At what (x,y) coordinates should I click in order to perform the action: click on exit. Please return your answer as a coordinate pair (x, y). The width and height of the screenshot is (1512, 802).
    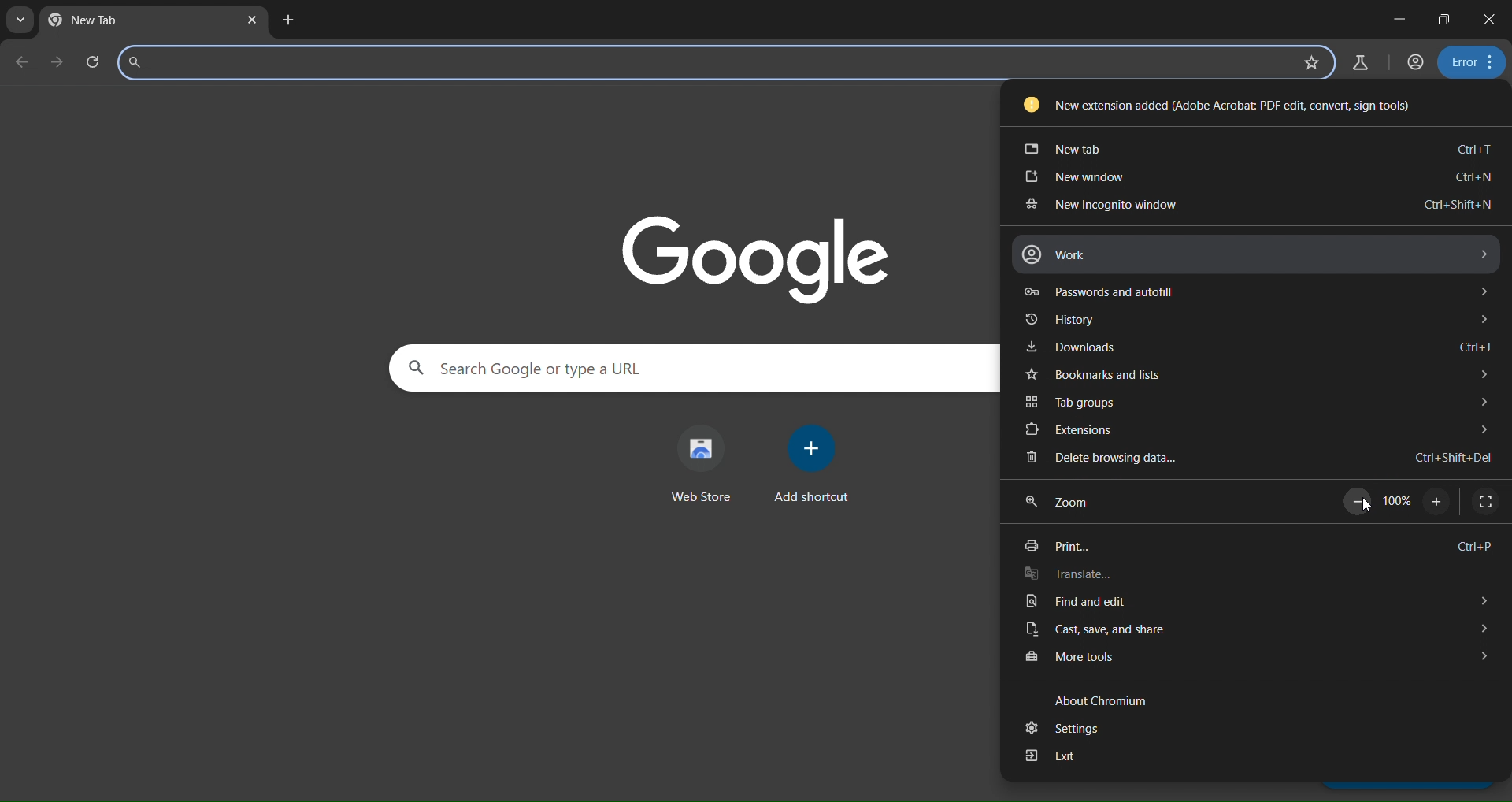
    Looking at the image, I should click on (1255, 759).